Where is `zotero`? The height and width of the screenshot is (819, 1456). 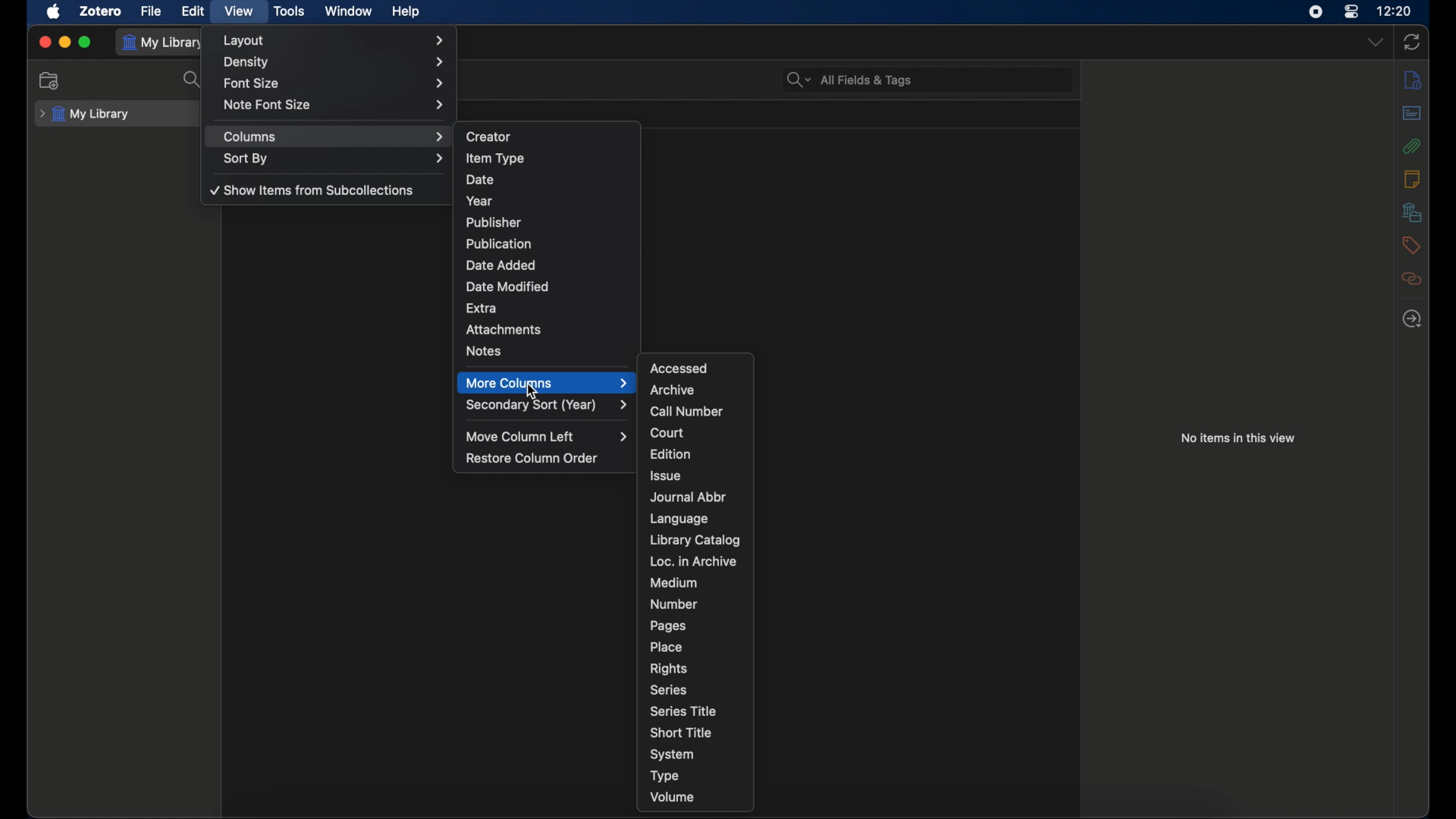
zotero is located at coordinates (101, 11).